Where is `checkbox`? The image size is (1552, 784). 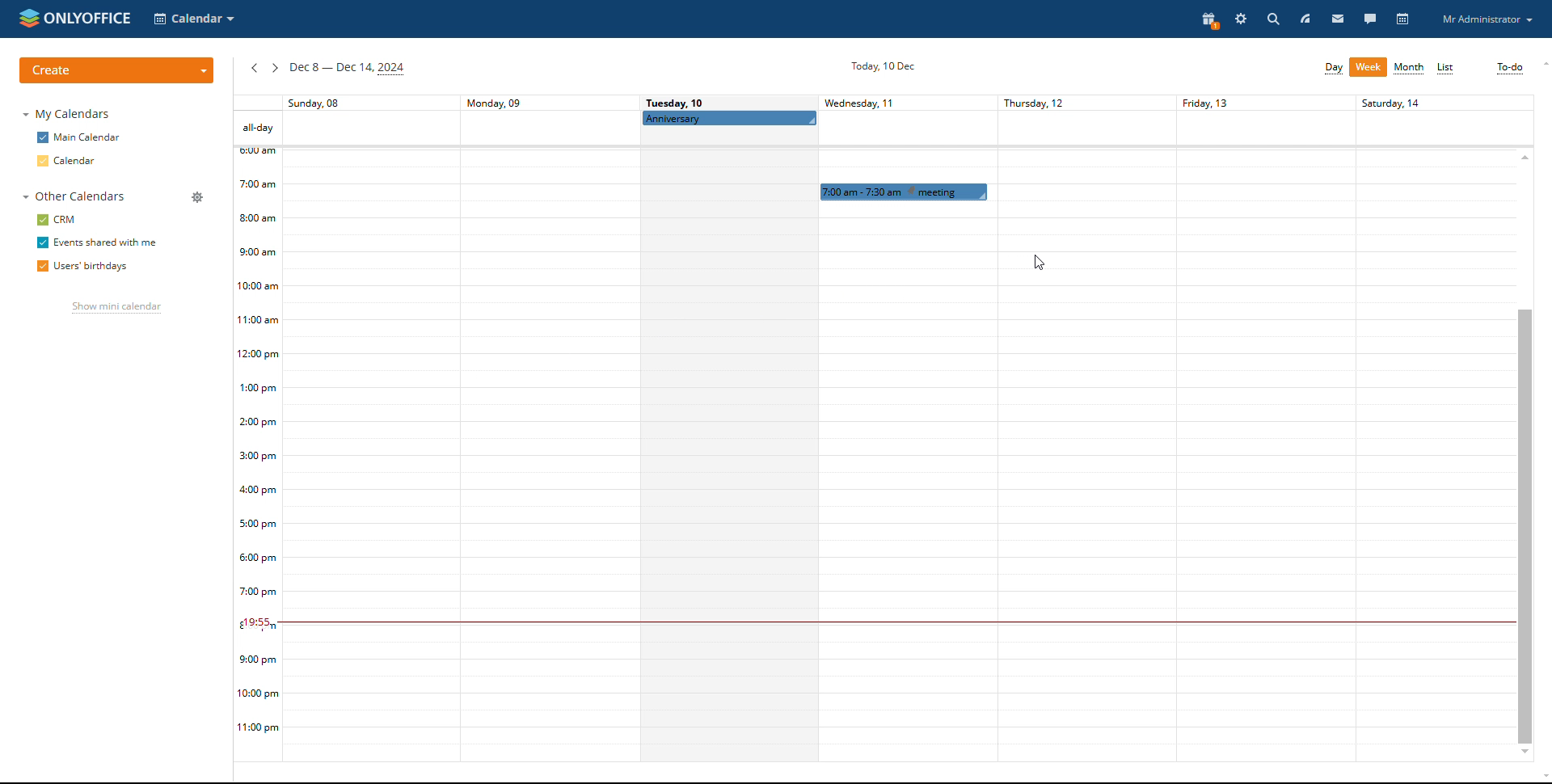
checkbox is located at coordinates (41, 161).